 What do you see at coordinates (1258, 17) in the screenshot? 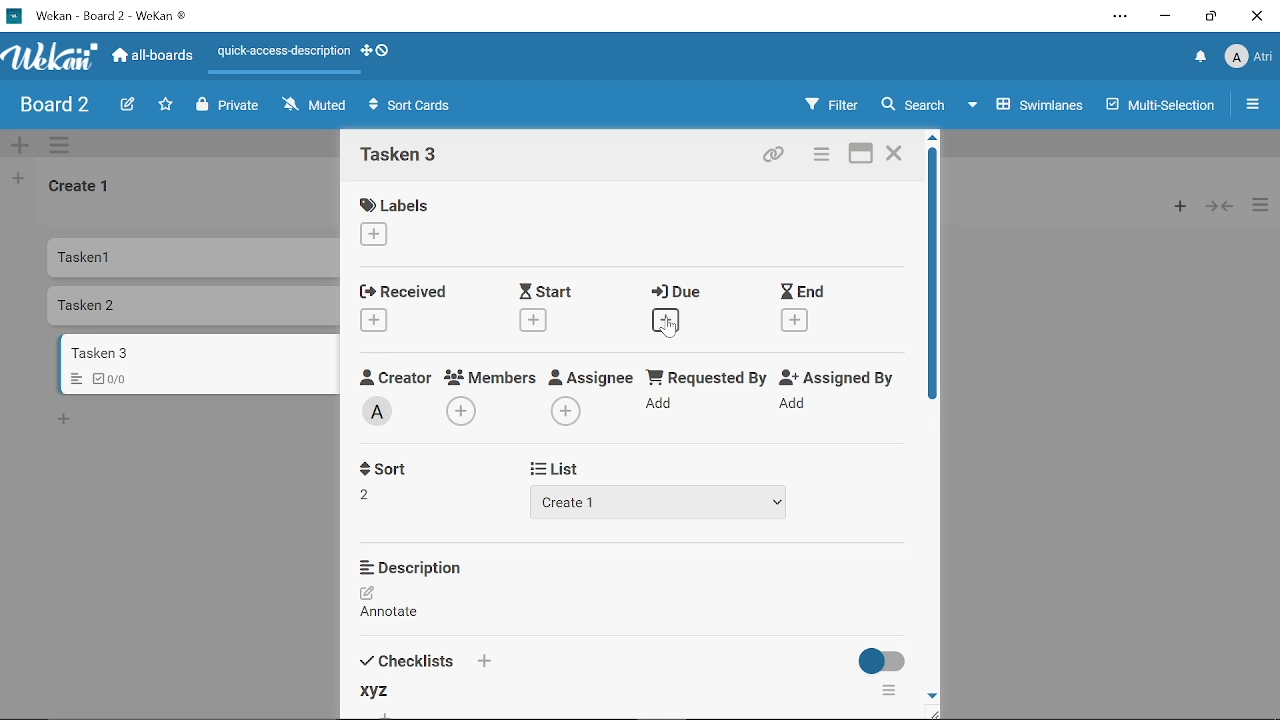
I see `Close` at bounding box center [1258, 17].